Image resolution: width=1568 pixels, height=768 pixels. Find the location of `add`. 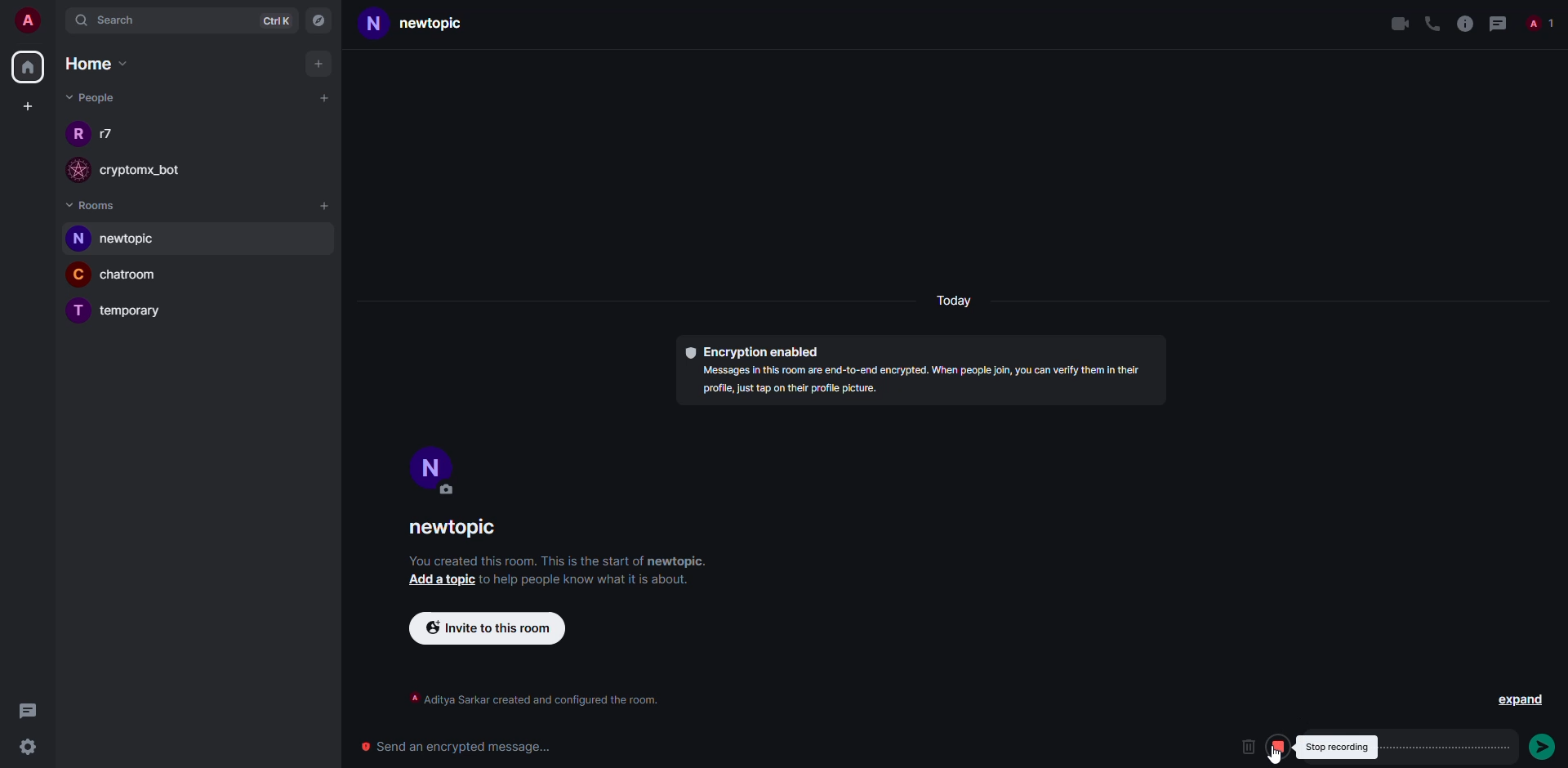

add is located at coordinates (326, 208).